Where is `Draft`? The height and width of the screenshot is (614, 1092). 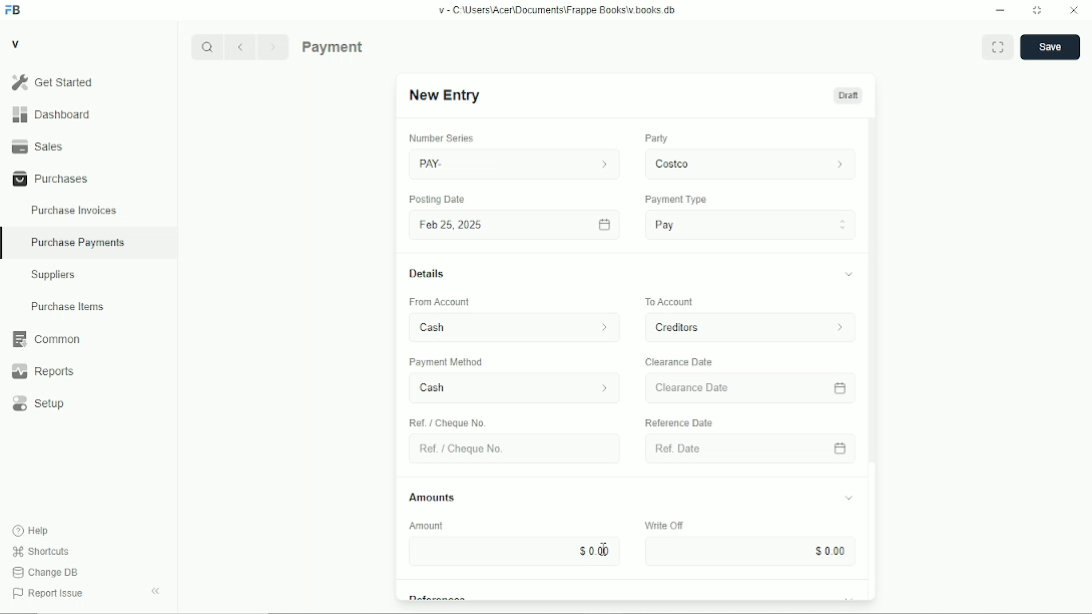 Draft is located at coordinates (848, 95).